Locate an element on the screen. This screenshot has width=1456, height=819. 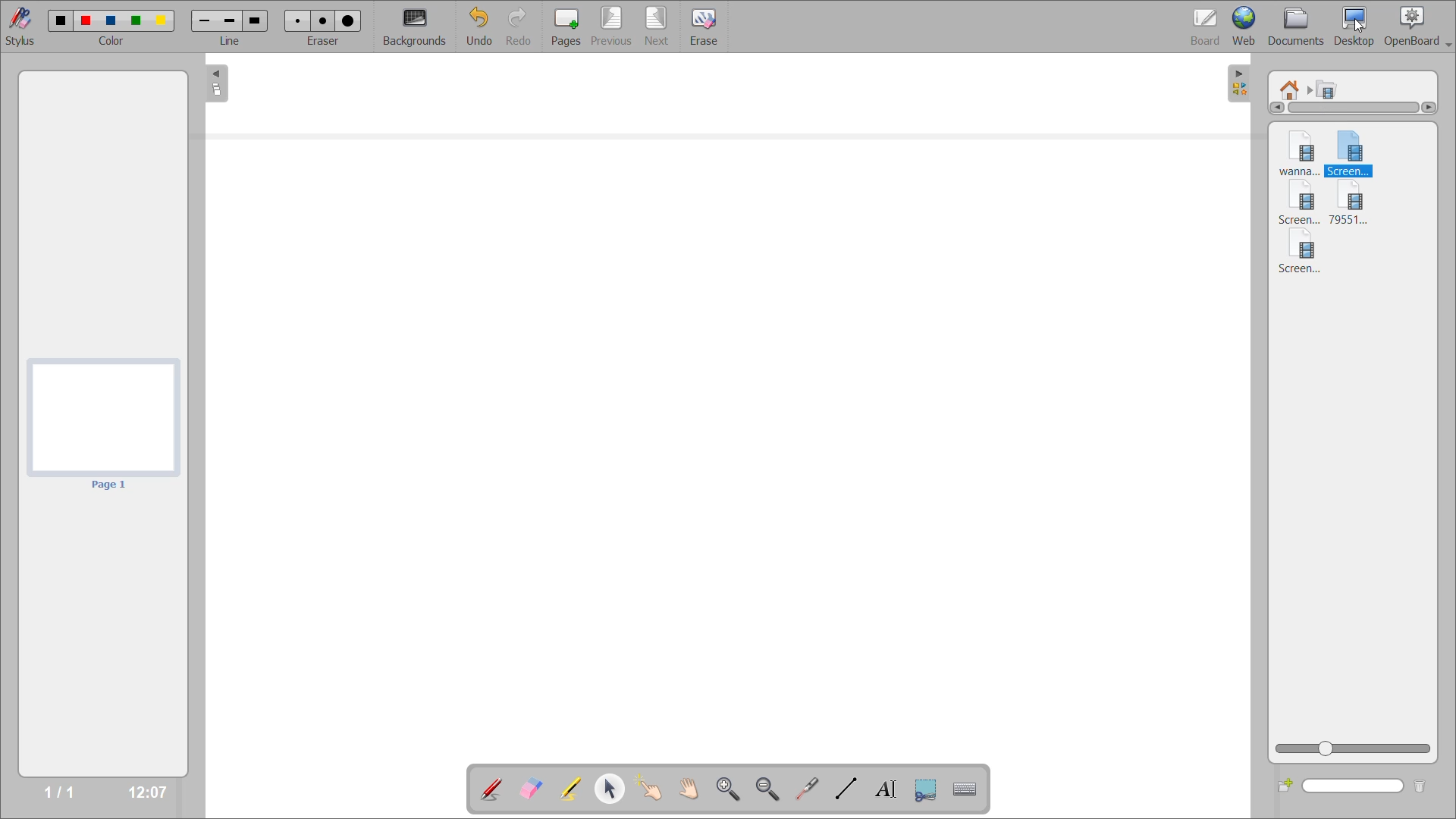
video 2 is located at coordinates (1354, 152).